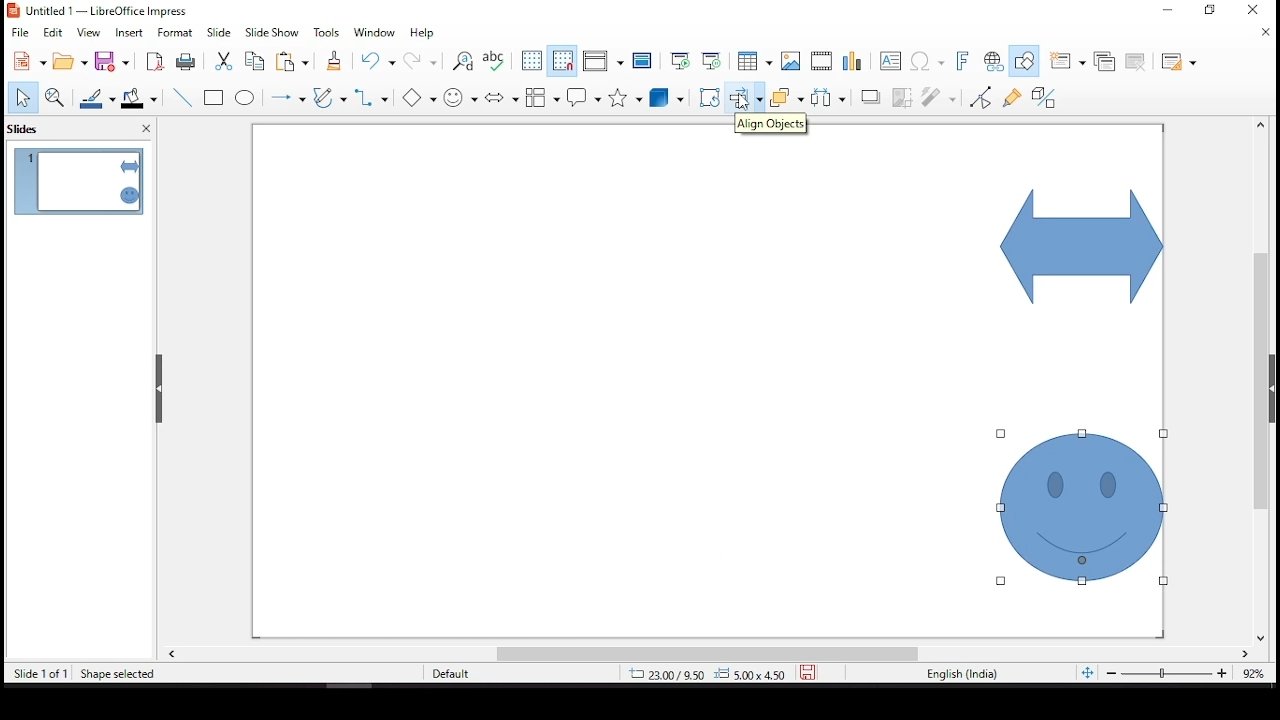  What do you see at coordinates (53, 95) in the screenshot?
I see `zoom and pan` at bounding box center [53, 95].